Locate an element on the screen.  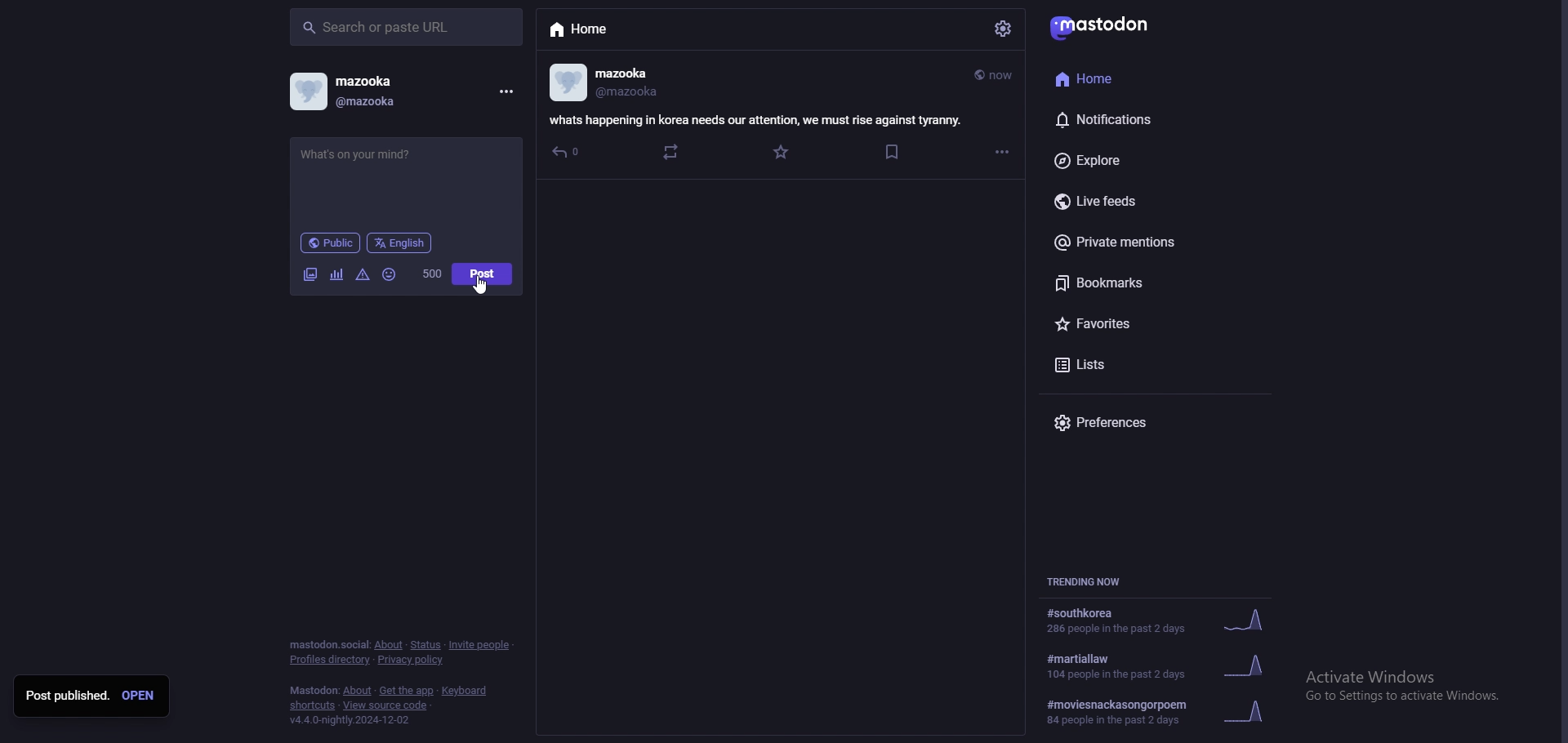
privacy policy is located at coordinates (409, 660).